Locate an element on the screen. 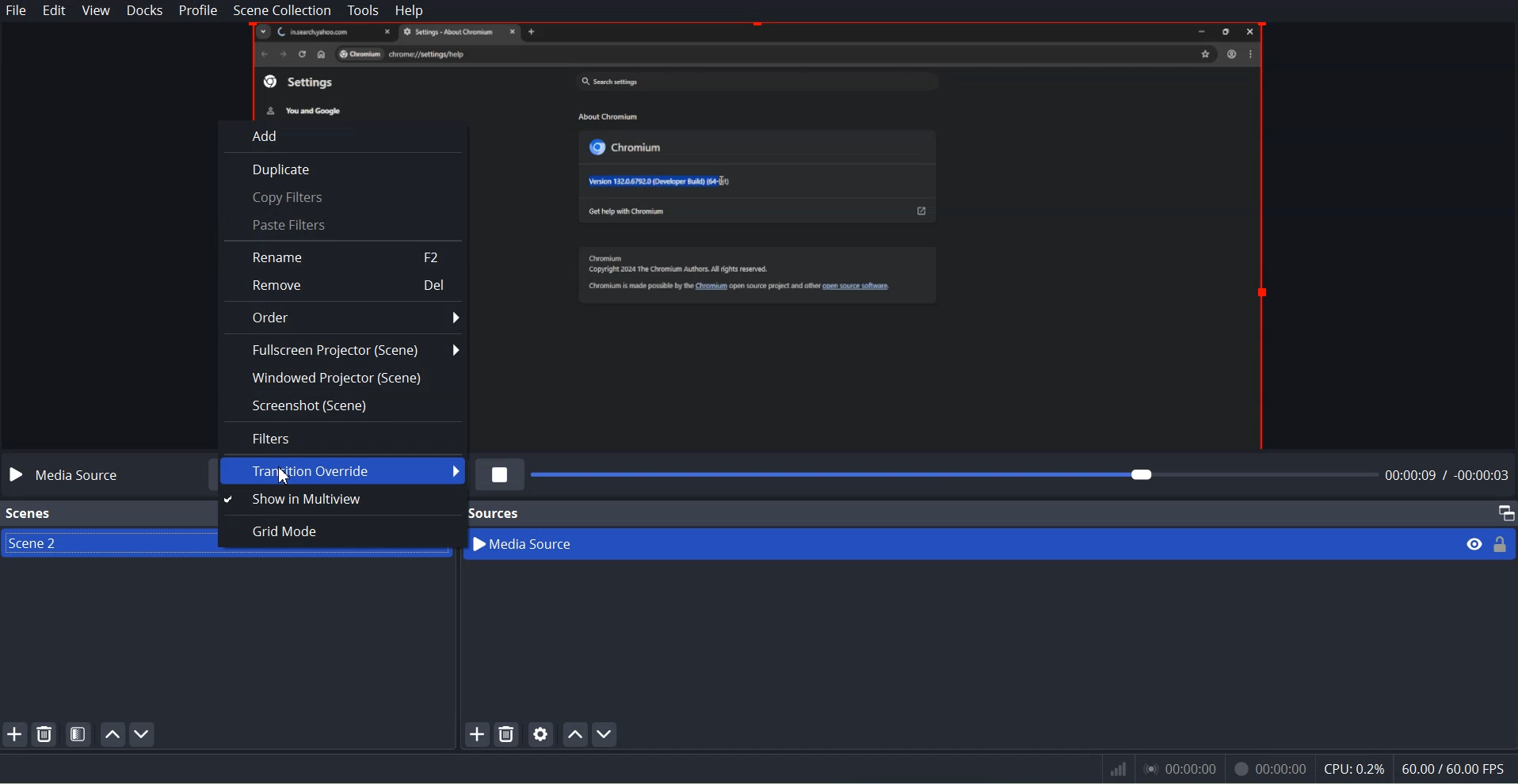 The image size is (1518, 784). File is located at coordinates (17, 10).